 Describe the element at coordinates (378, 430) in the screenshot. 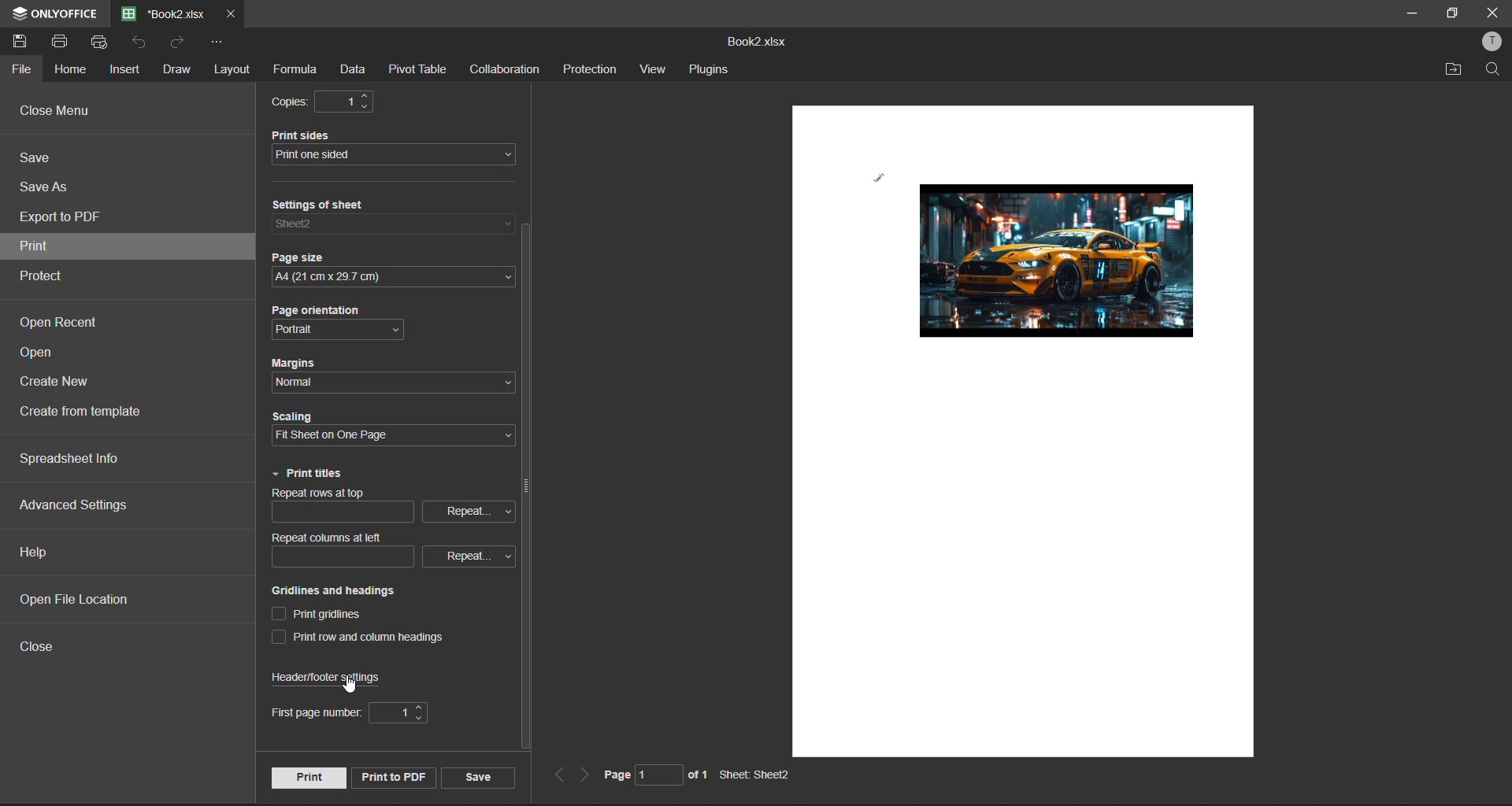

I see `scaling` at that location.